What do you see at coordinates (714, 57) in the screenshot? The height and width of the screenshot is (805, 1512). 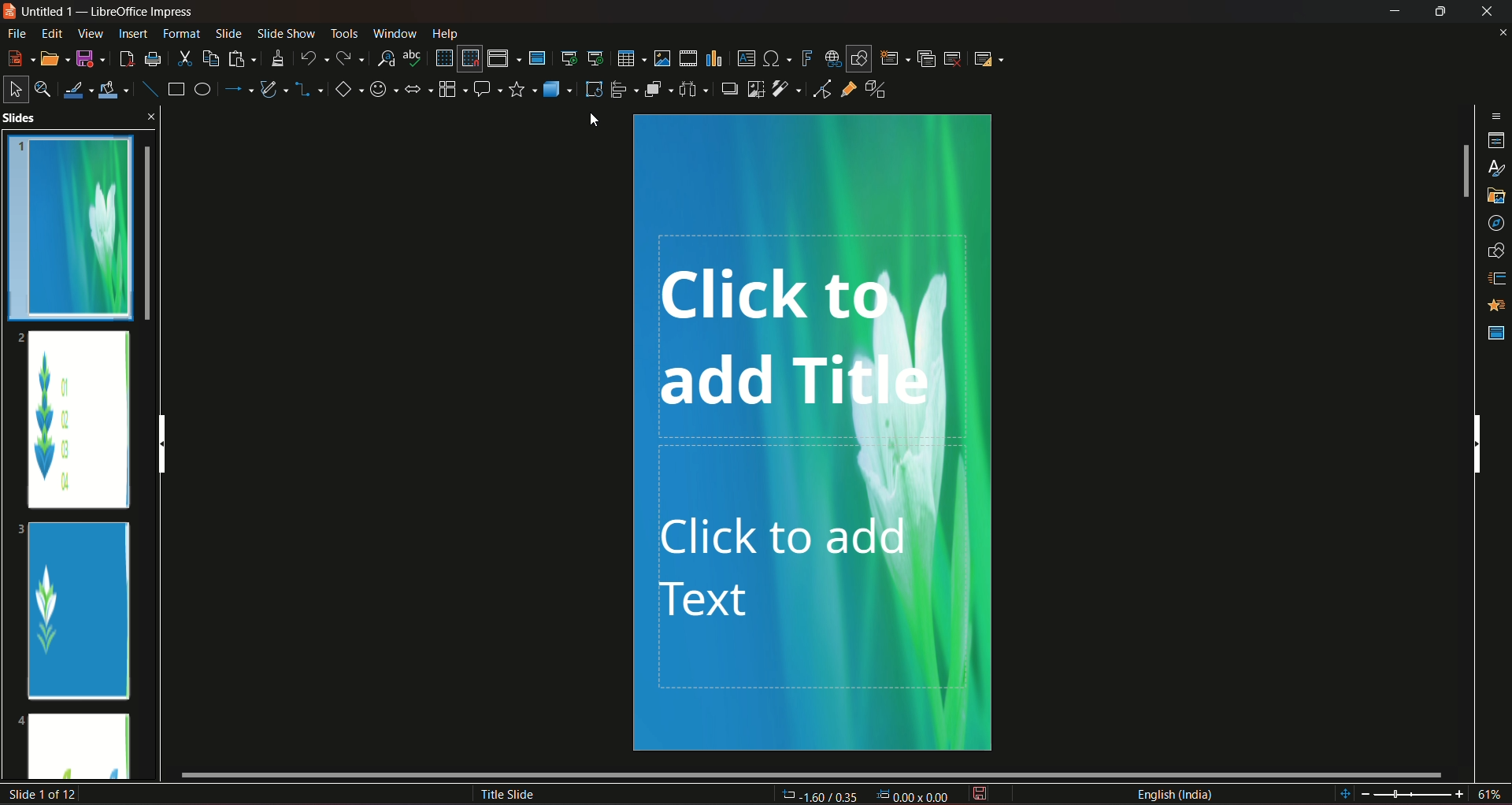 I see `insert chart` at bounding box center [714, 57].